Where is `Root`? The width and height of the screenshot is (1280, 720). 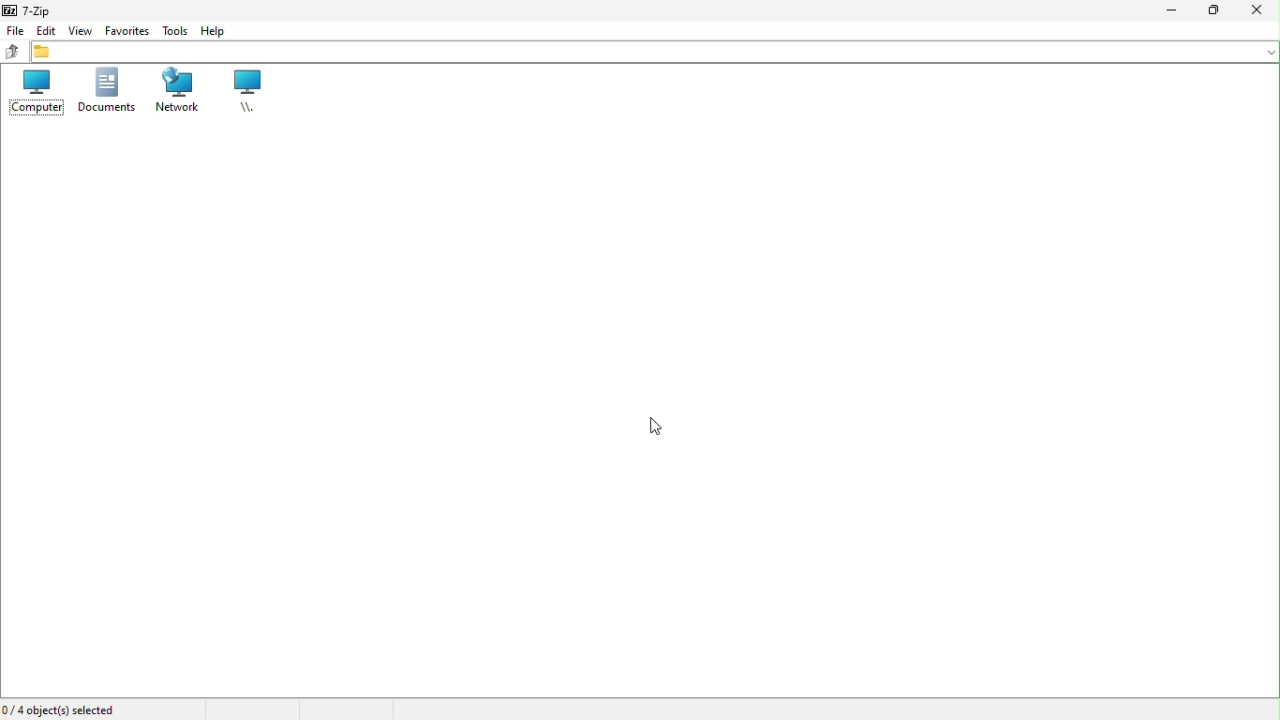
Root is located at coordinates (243, 91).